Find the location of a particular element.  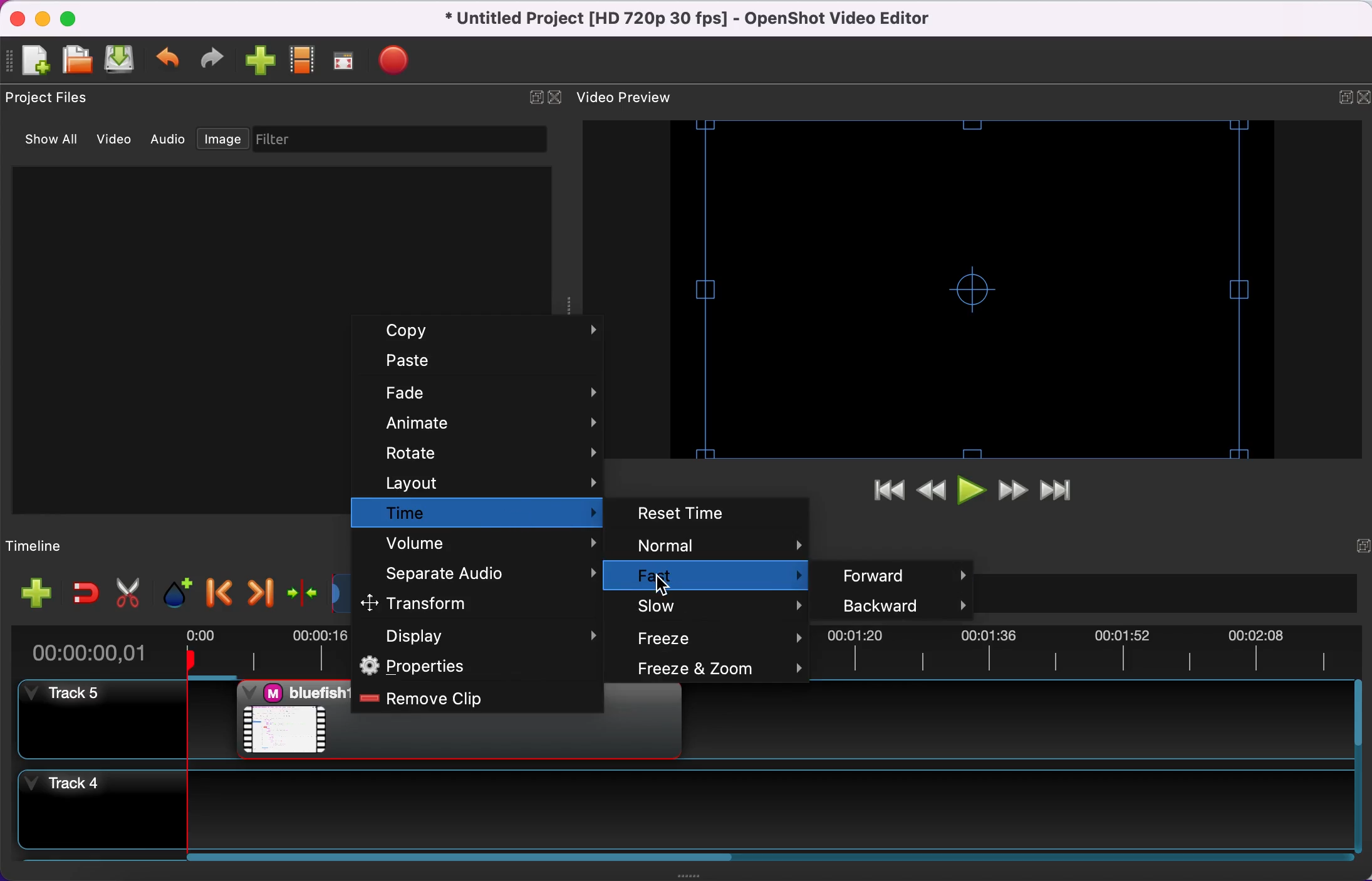

timeline is located at coordinates (48, 544).